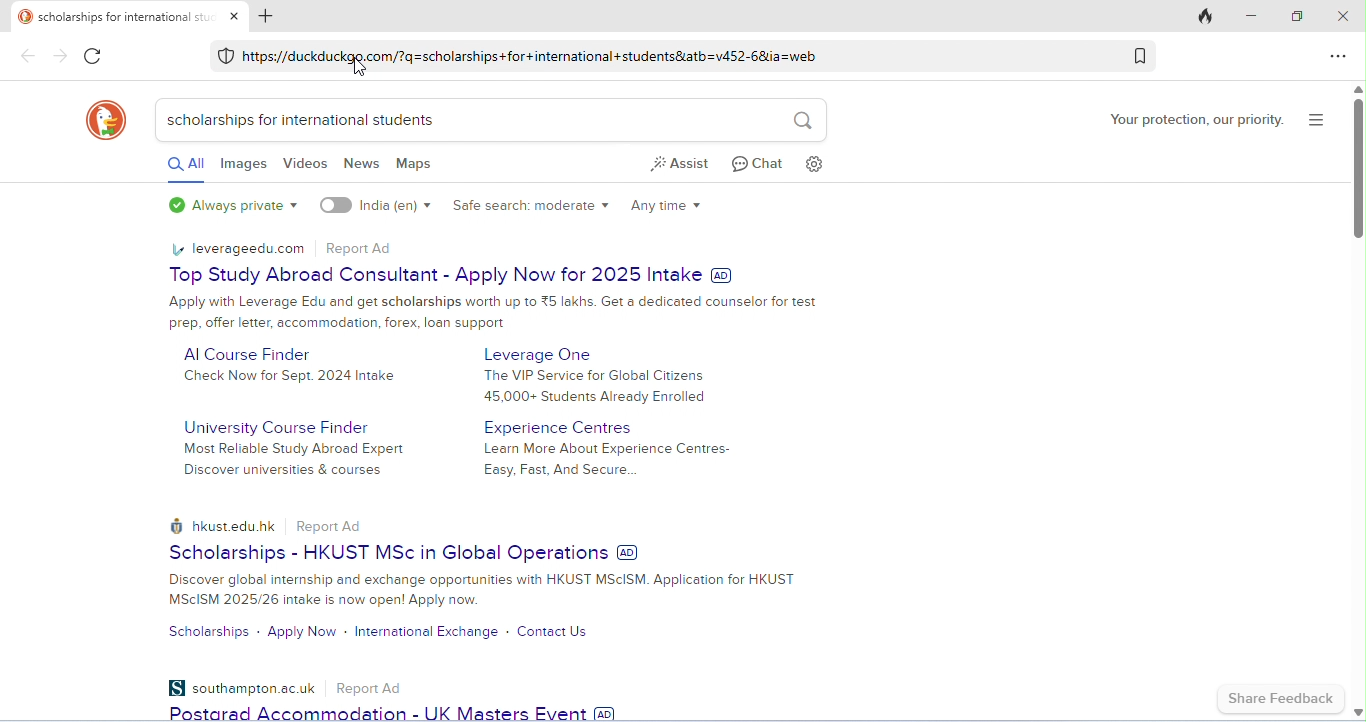  Describe the element at coordinates (223, 525) in the screenshot. I see `hkust.edu.hk` at that location.